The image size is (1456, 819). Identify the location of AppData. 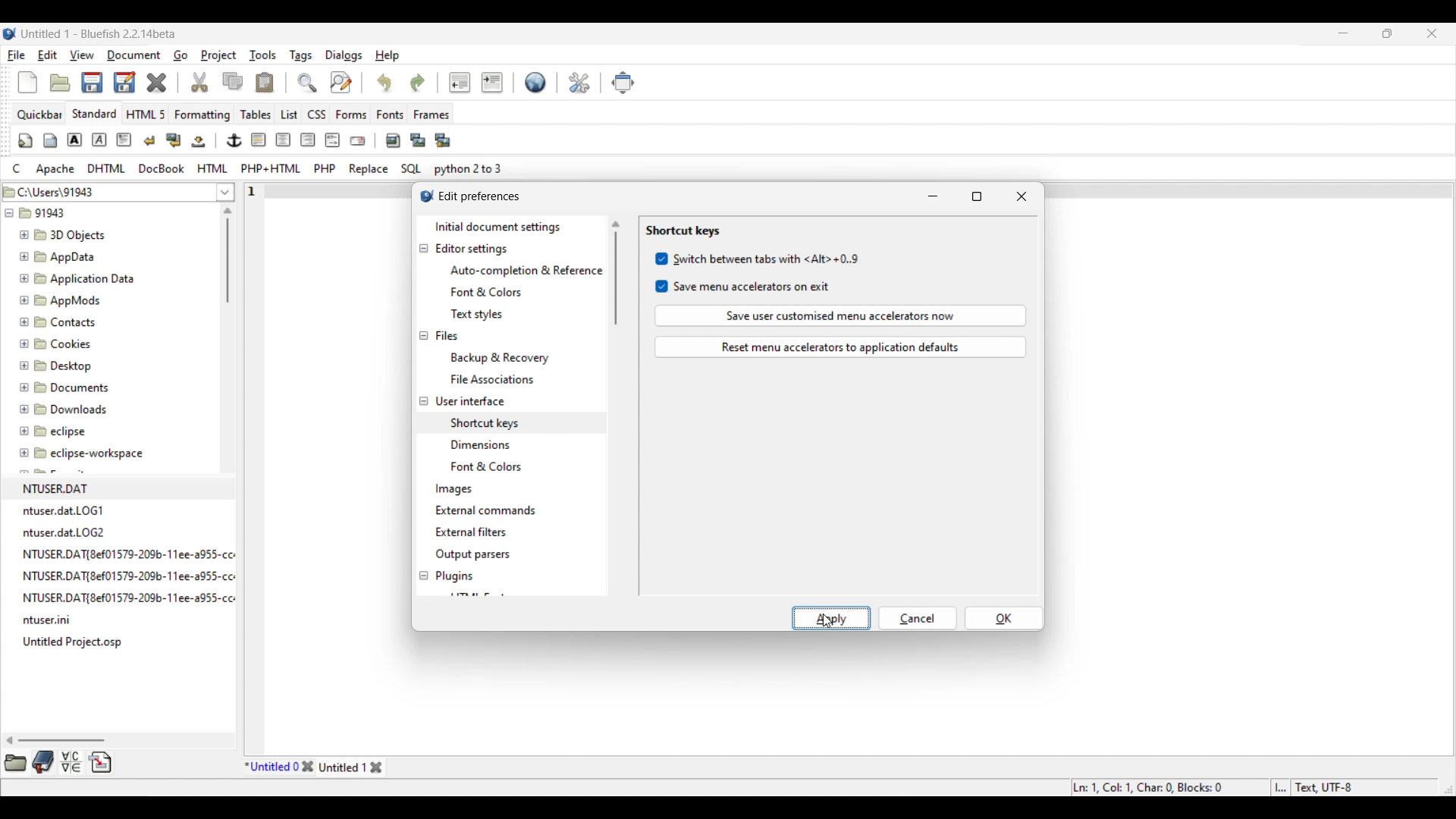
(61, 256).